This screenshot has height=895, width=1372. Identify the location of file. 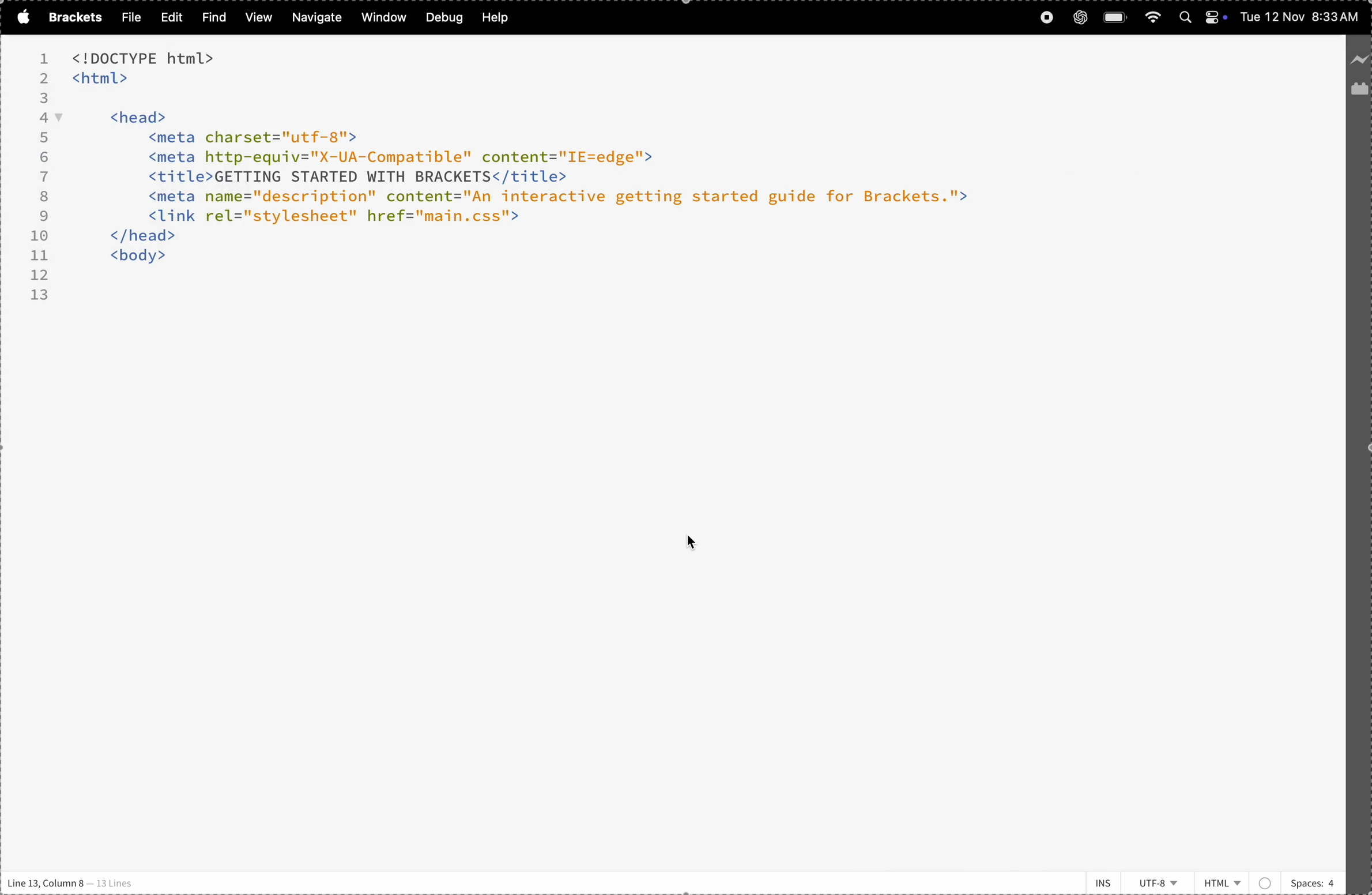
(128, 17).